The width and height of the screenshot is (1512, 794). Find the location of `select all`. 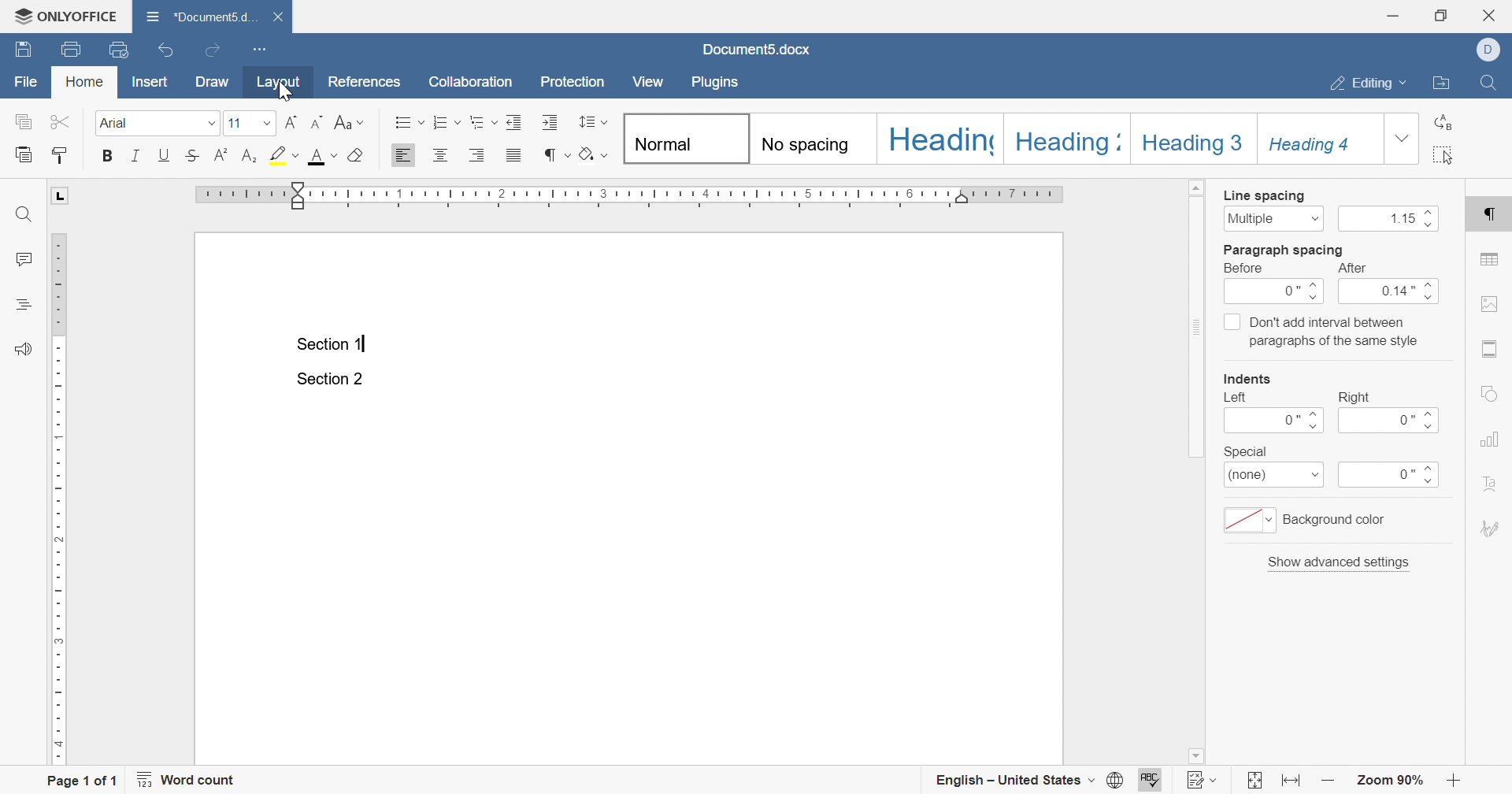

select all is located at coordinates (1445, 154).